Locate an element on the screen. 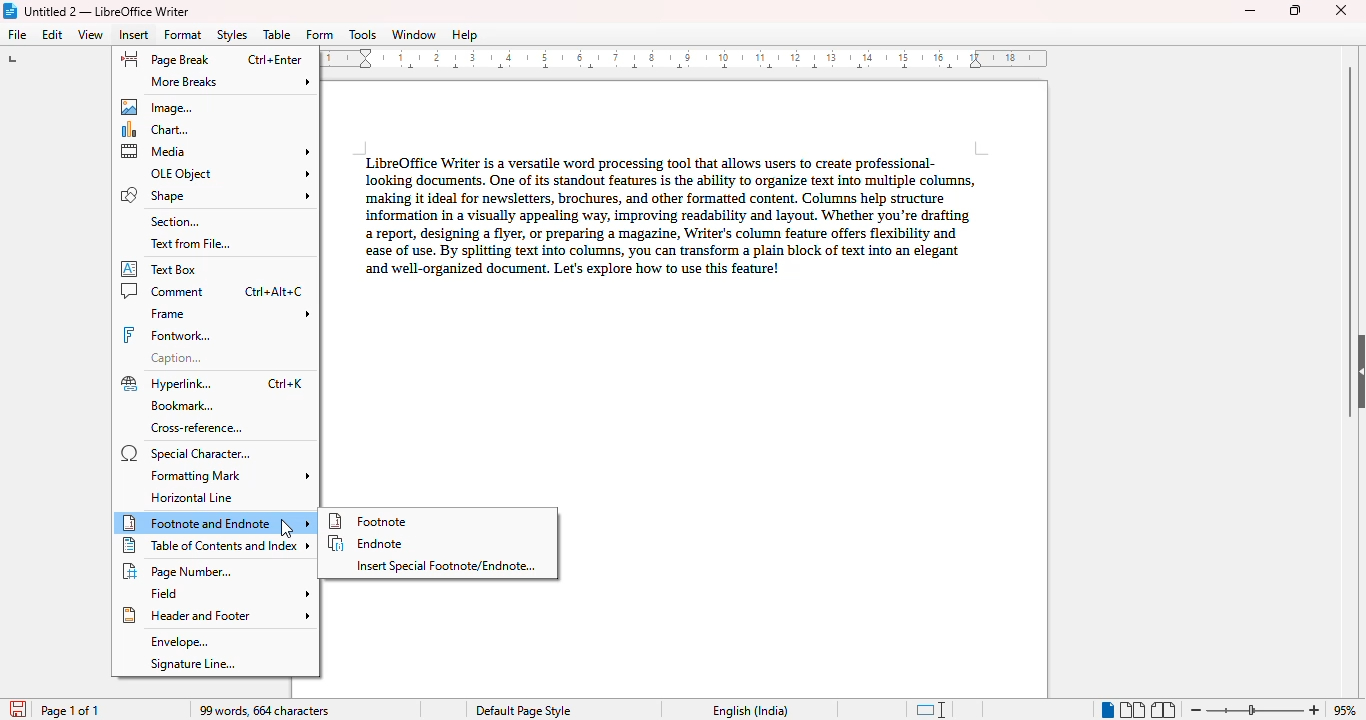 Image resolution: width=1366 pixels, height=720 pixels. form is located at coordinates (320, 35).